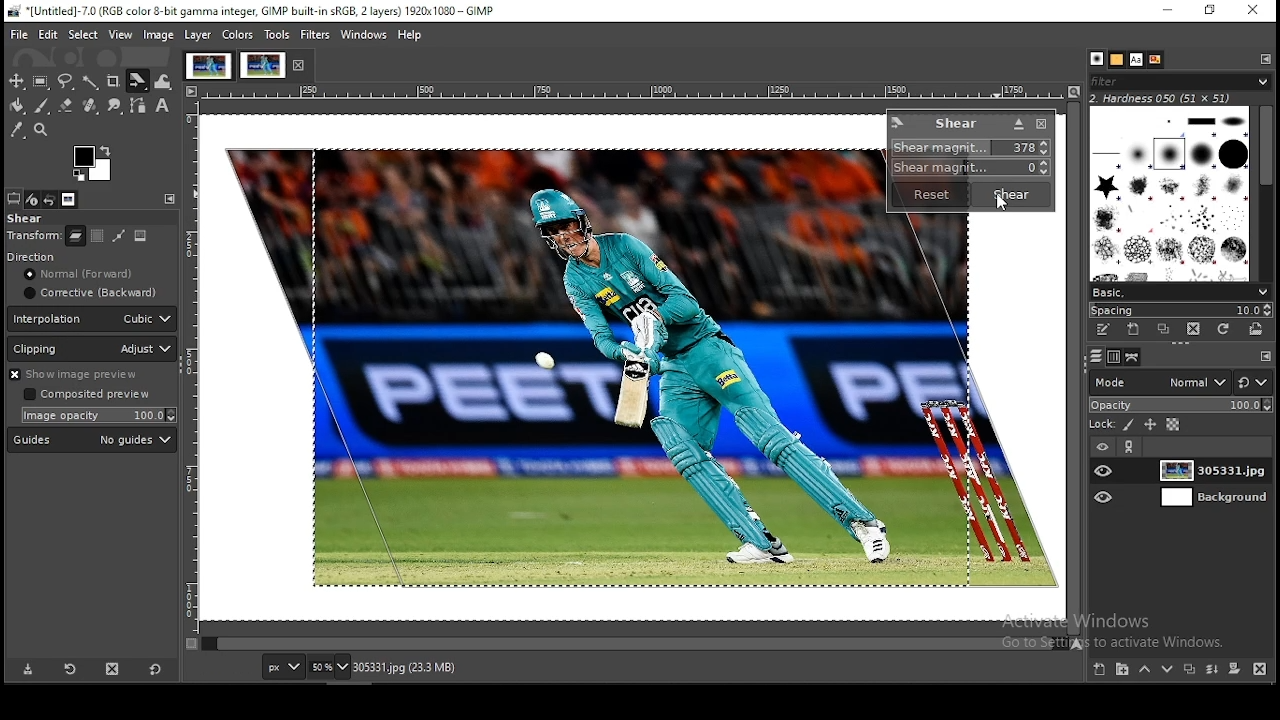 This screenshot has height=720, width=1280. Describe the element at coordinates (138, 80) in the screenshot. I see `shear tool` at that location.